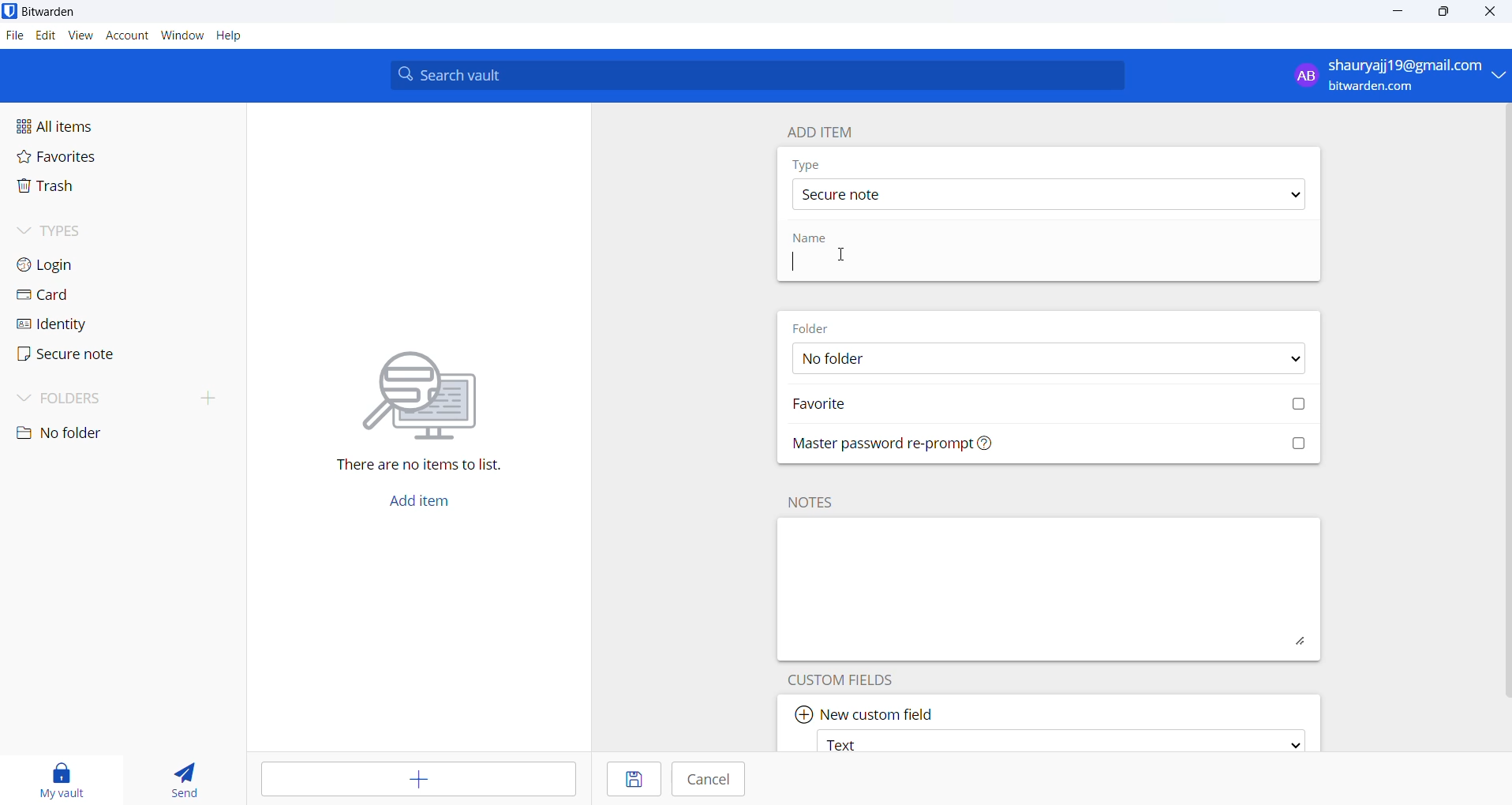 The height and width of the screenshot is (805, 1512). What do you see at coordinates (75, 230) in the screenshot?
I see `types` at bounding box center [75, 230].